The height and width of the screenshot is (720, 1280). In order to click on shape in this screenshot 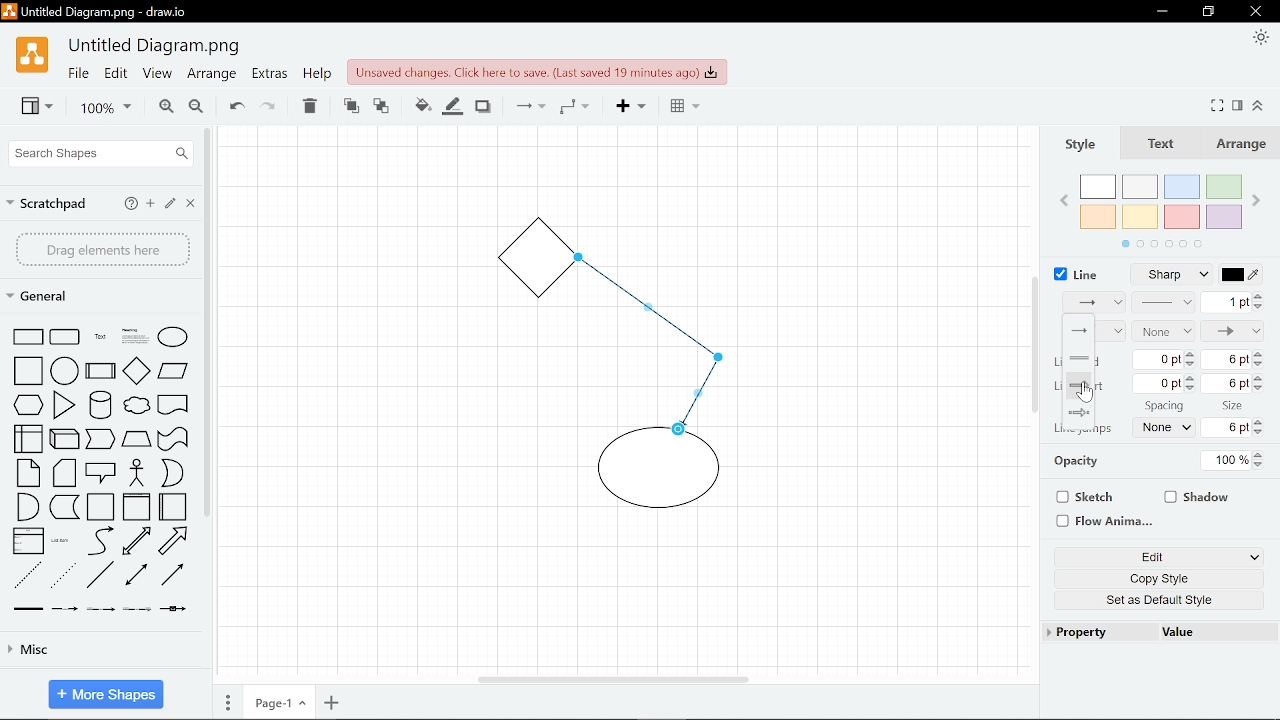, I will do `click(67, 438)`.